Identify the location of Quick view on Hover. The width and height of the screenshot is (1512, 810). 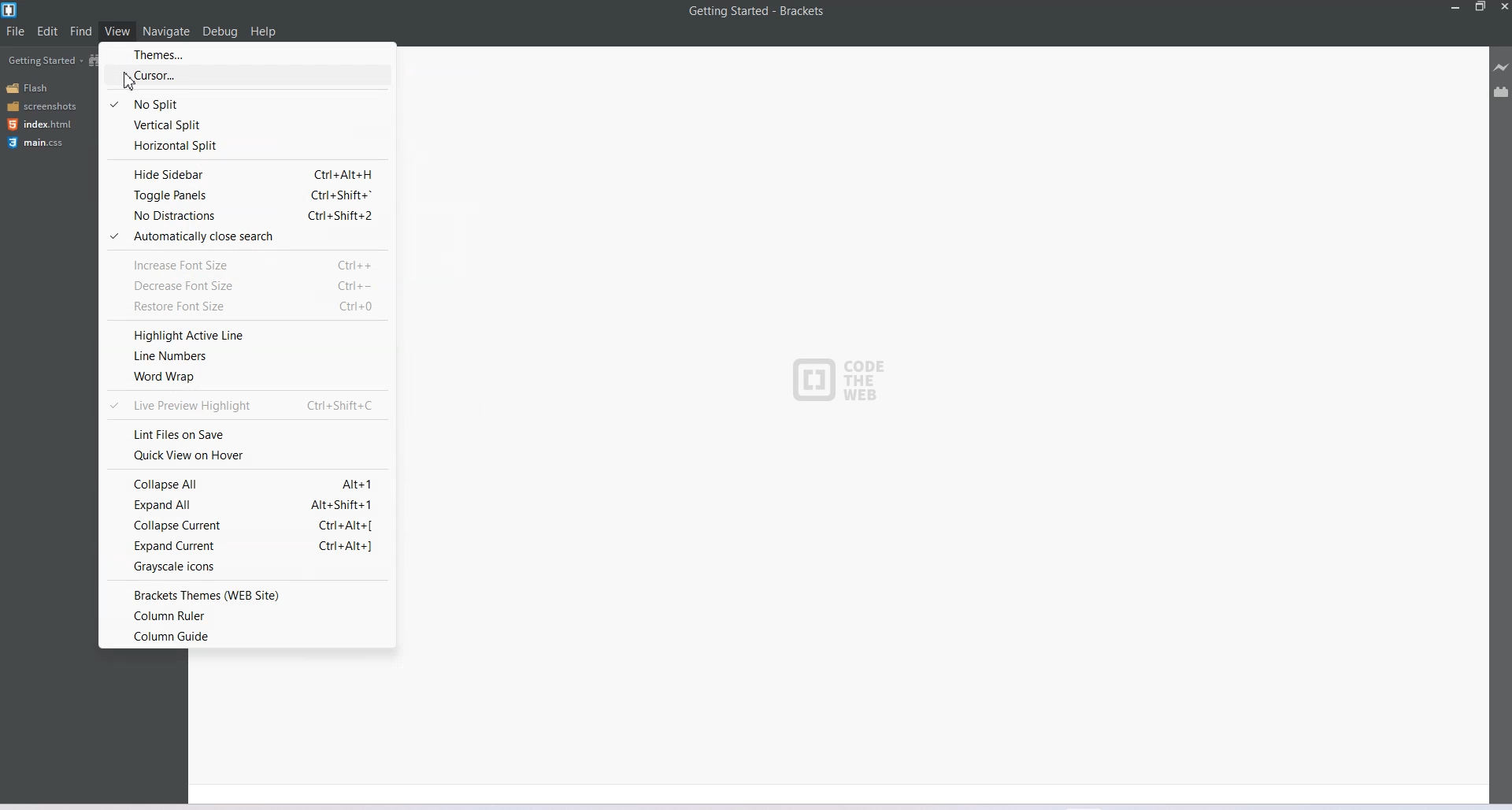
(246, 456).